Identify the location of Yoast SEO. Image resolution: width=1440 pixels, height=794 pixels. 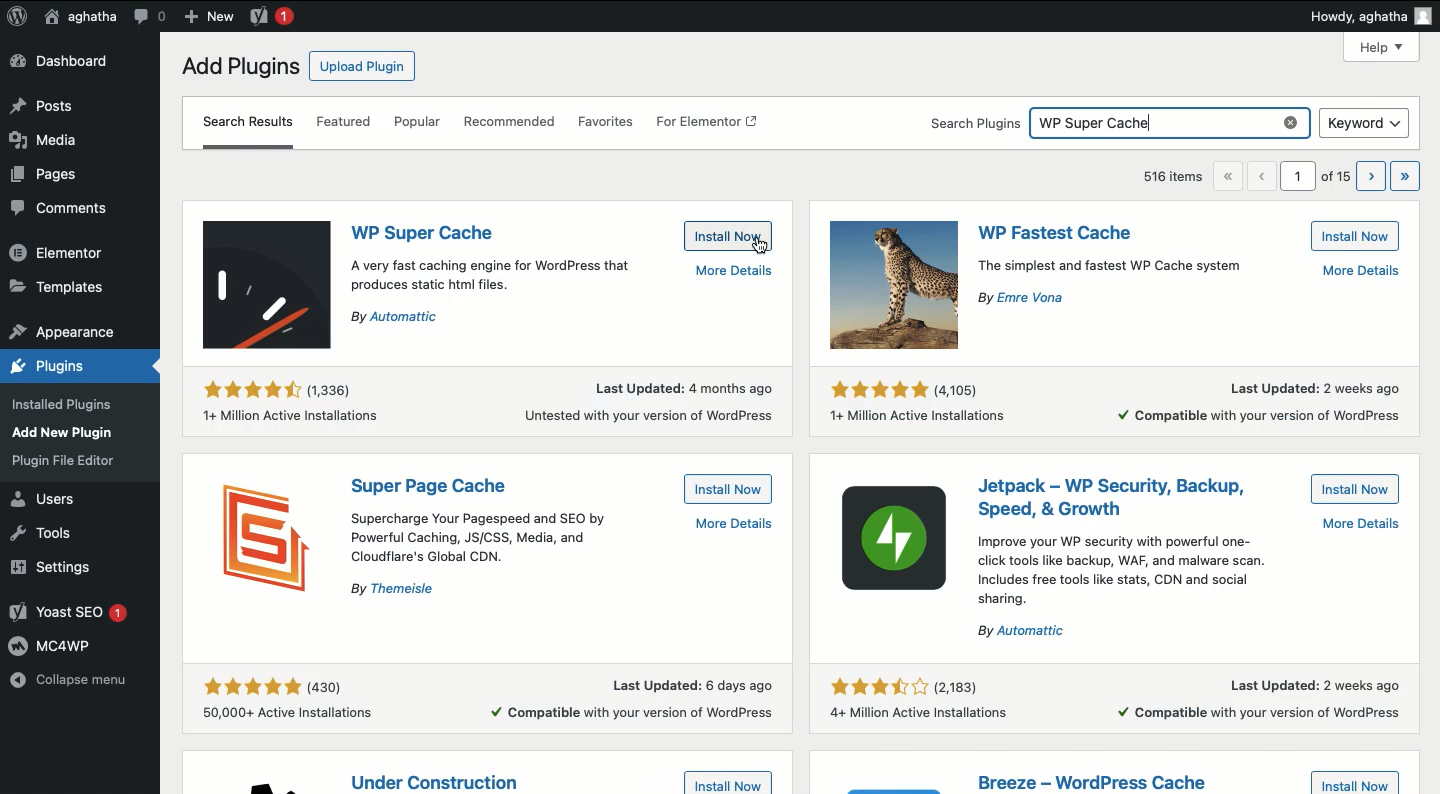
(71, 610).